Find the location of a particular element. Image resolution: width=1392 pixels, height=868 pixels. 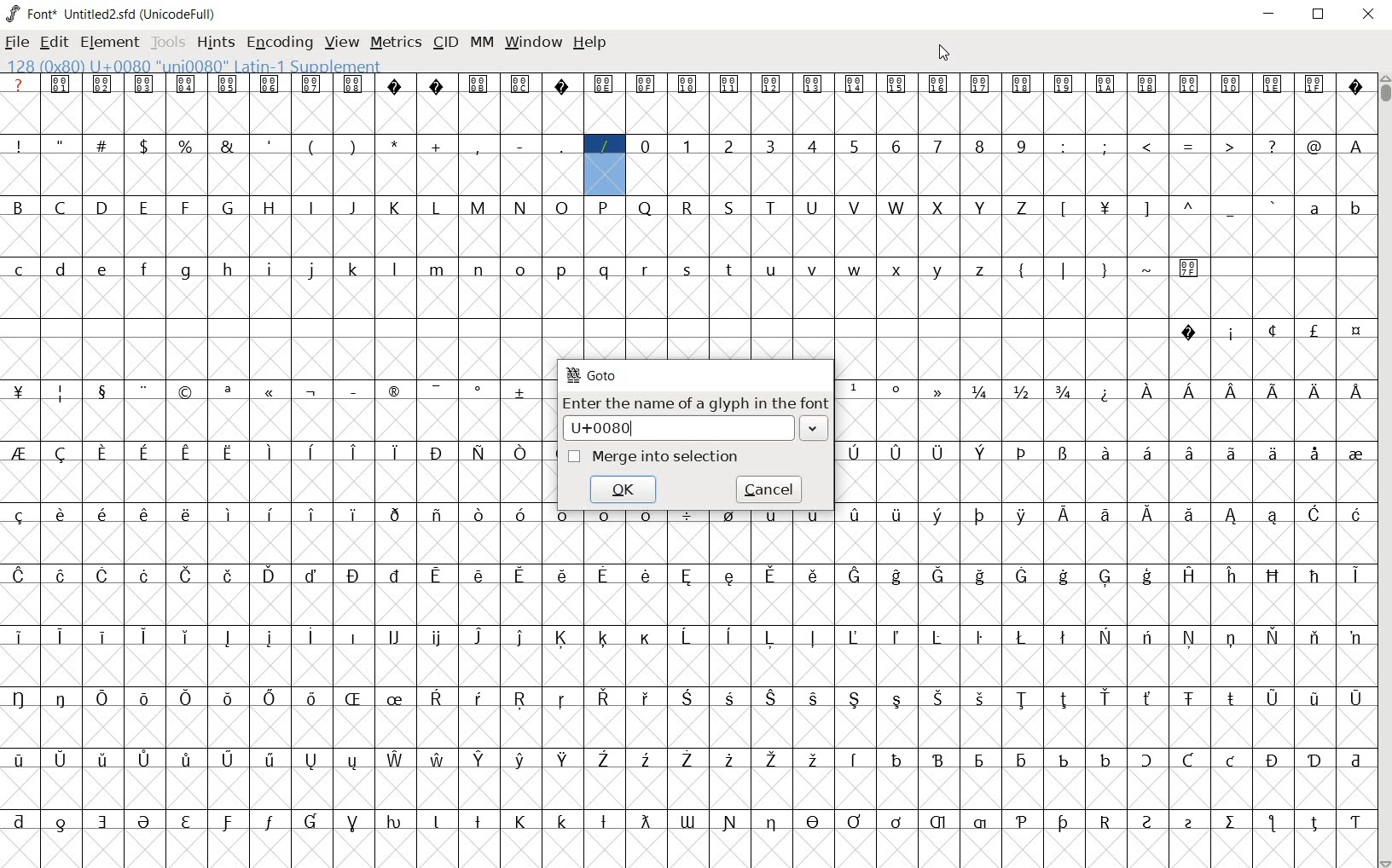

glyph is located at coordinates (437, 576).